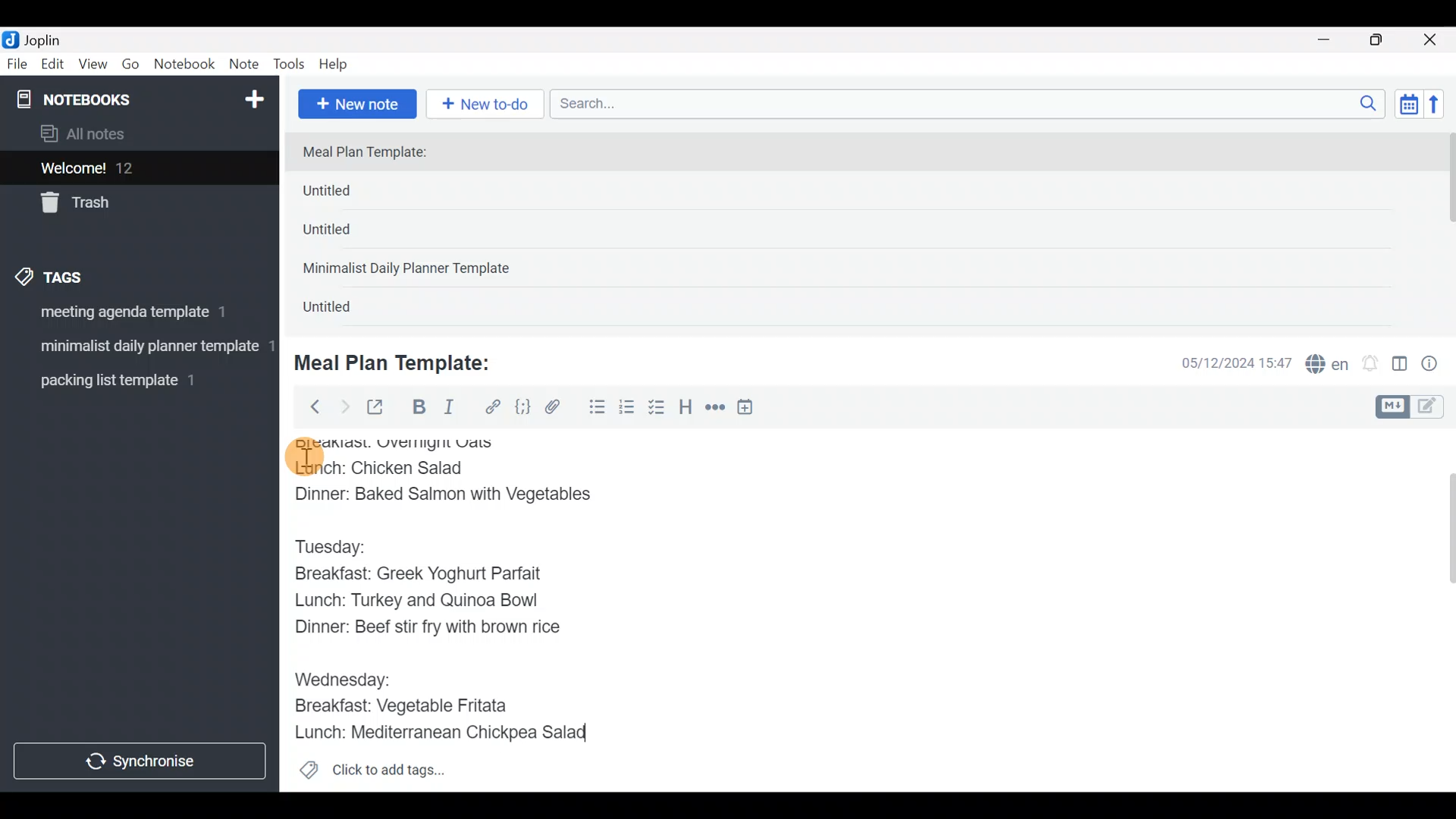 The width and height of the screenshot is (1456, 819). I want to click on Date & time, so click(1225, 362).